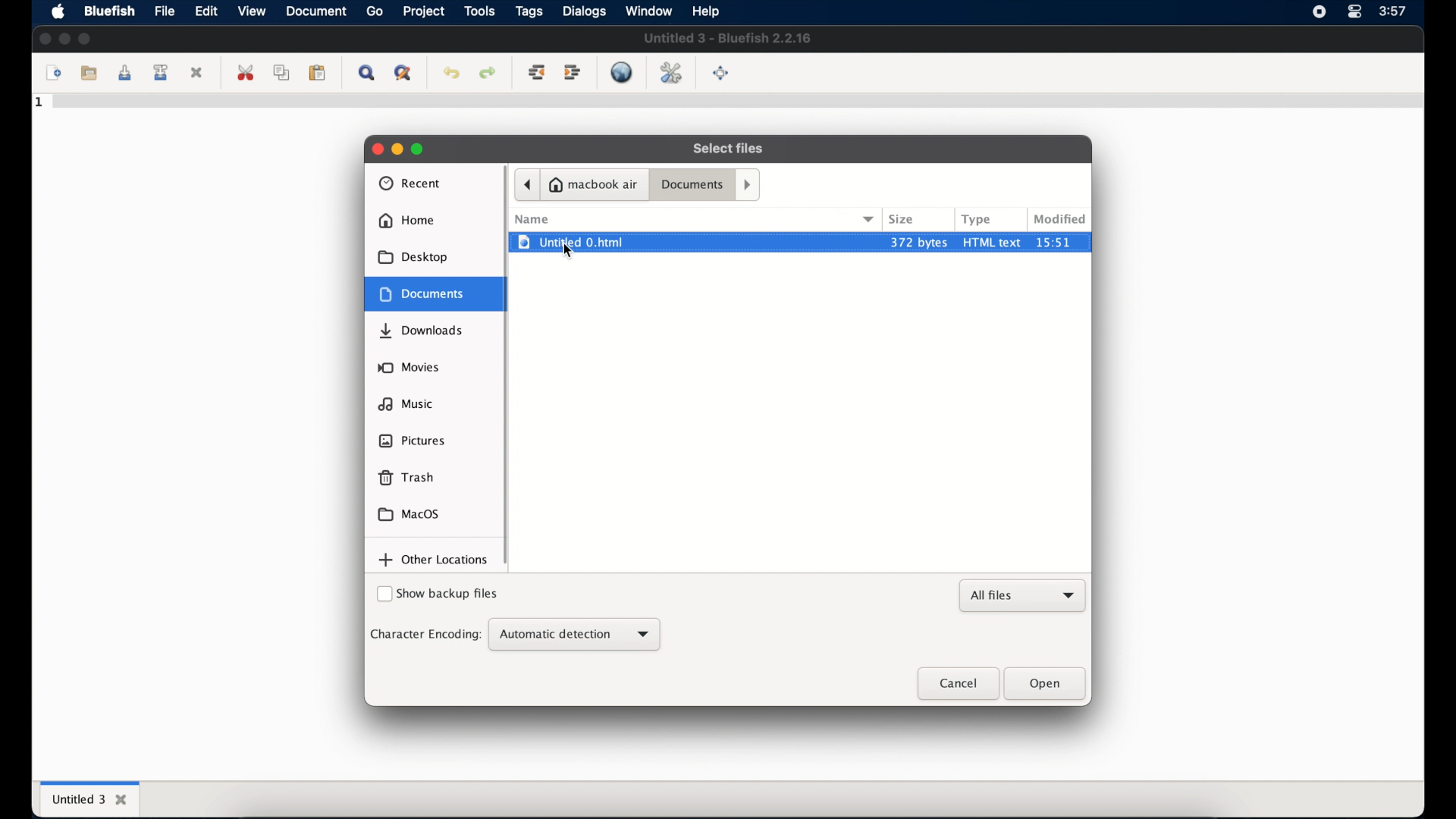 This screenshot has height=819, width=1456. What do you see at coordinates (692, 186) in the screenshot?
I see `documents` at bounding box center [692, 186].